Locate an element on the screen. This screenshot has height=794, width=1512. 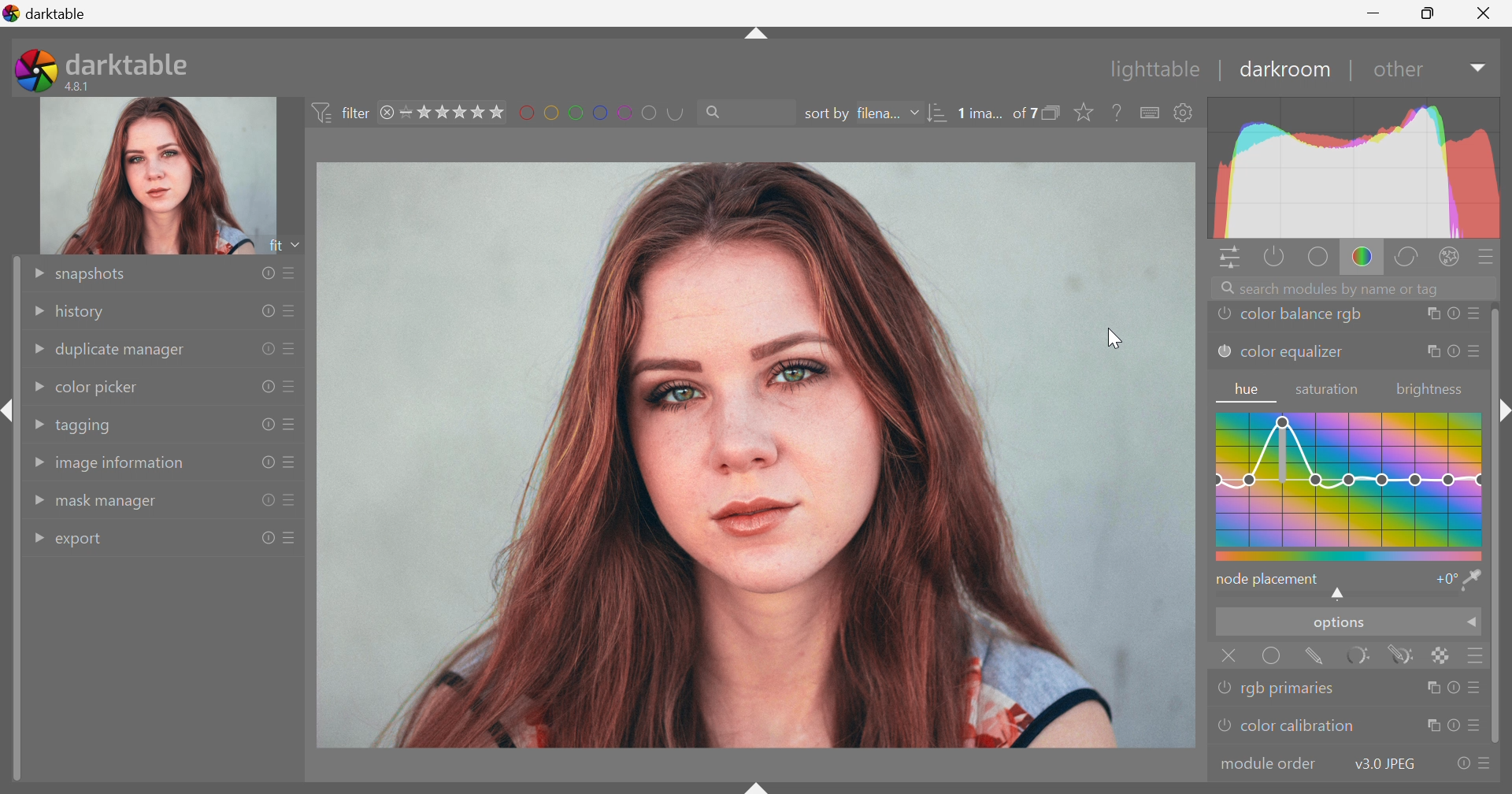
reset is located at coordinates (263, 387).